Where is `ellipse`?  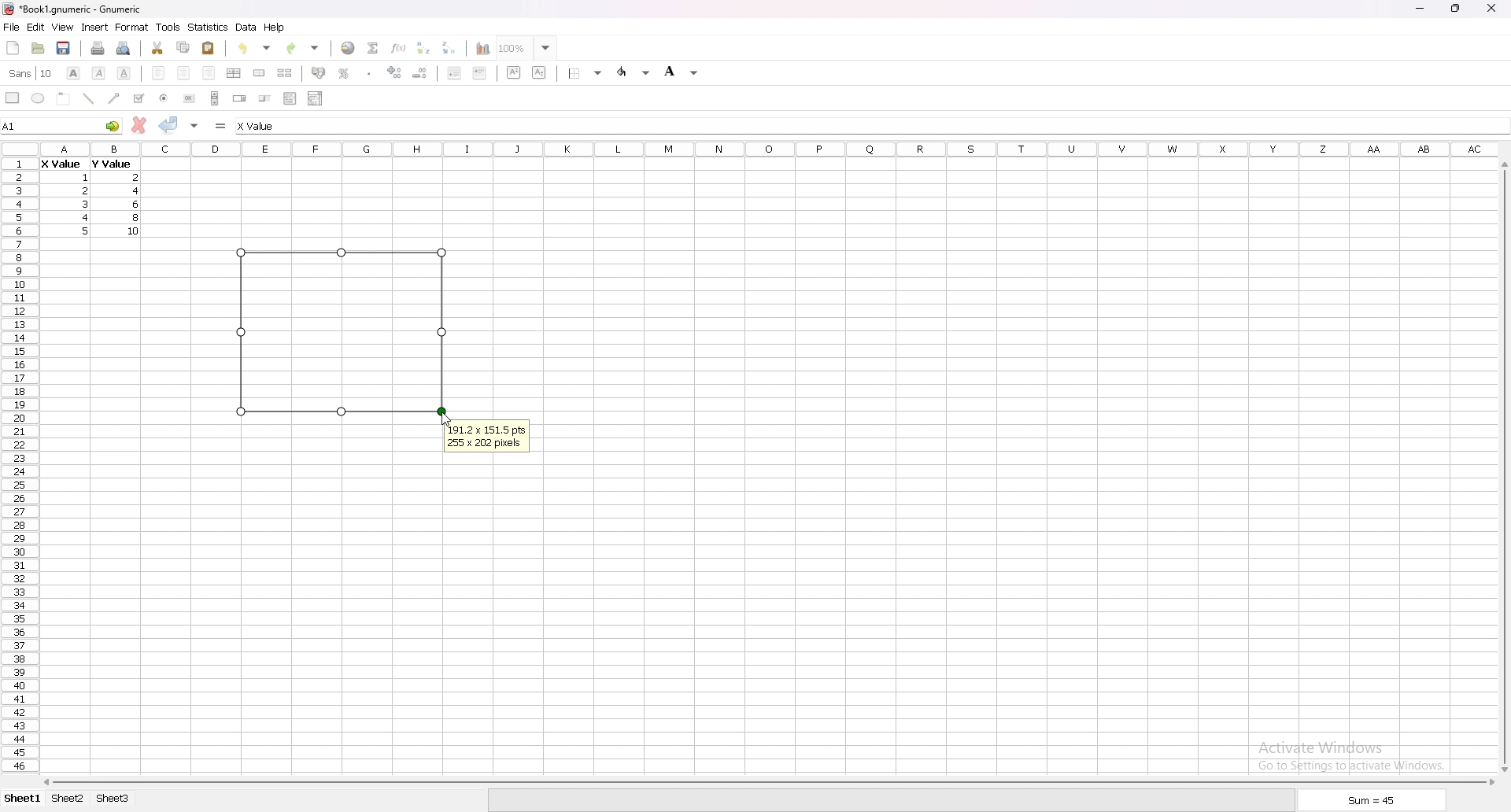
ellipse is located at coordinates (38, 98).